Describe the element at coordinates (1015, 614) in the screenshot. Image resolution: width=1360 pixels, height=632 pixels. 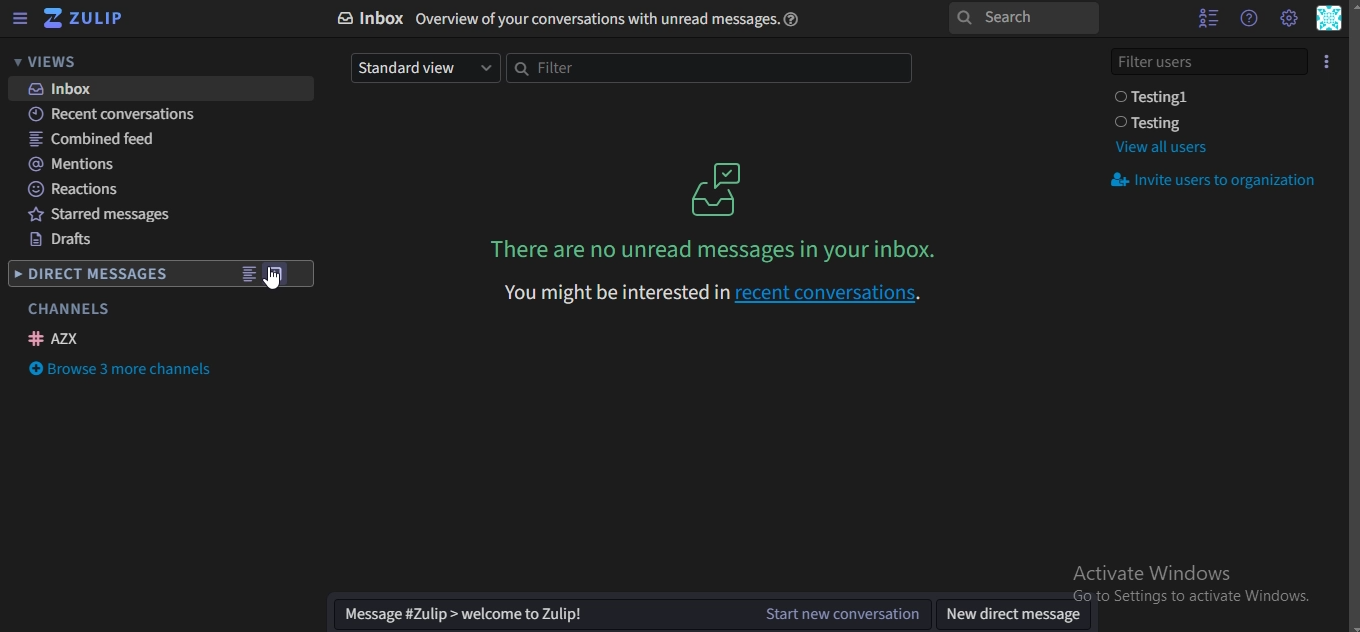
I see `new direct message` at that location.